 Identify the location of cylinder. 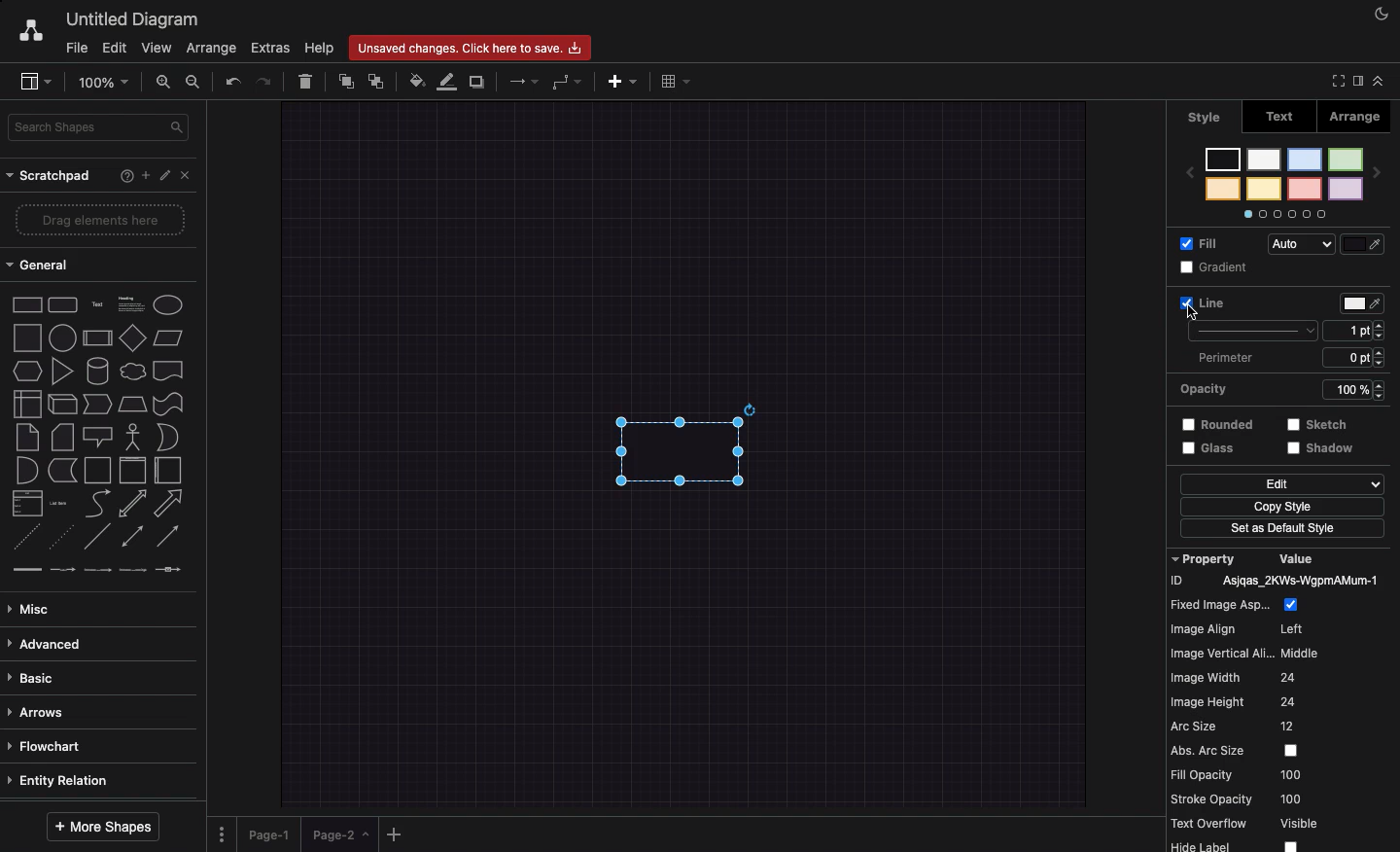
(97, 370).